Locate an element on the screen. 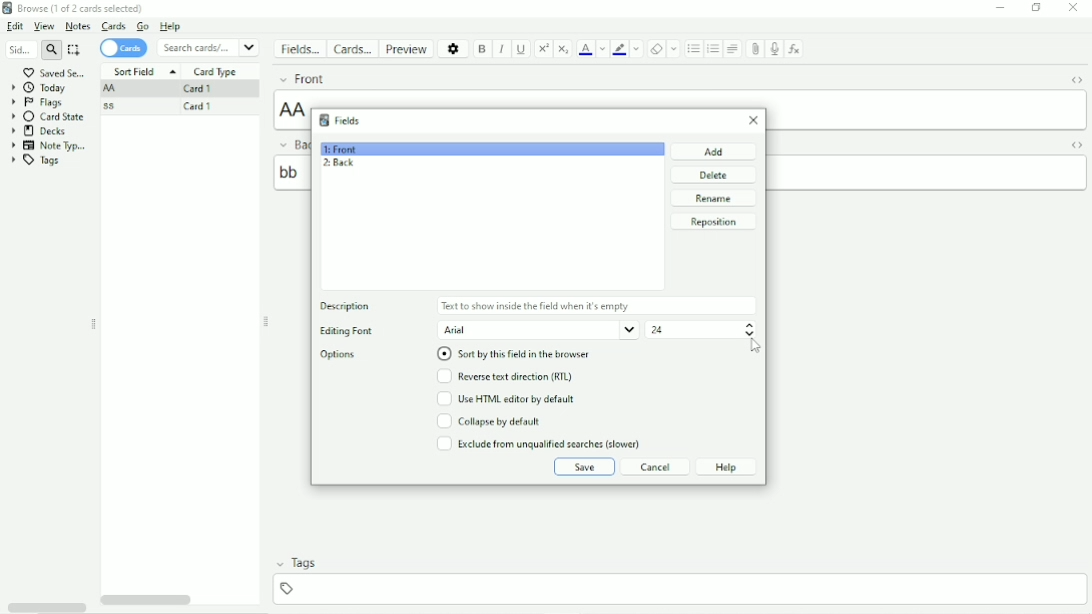 The height and width of the screenshot is (614, 1092). Card State is located at coordinates (49, 117).